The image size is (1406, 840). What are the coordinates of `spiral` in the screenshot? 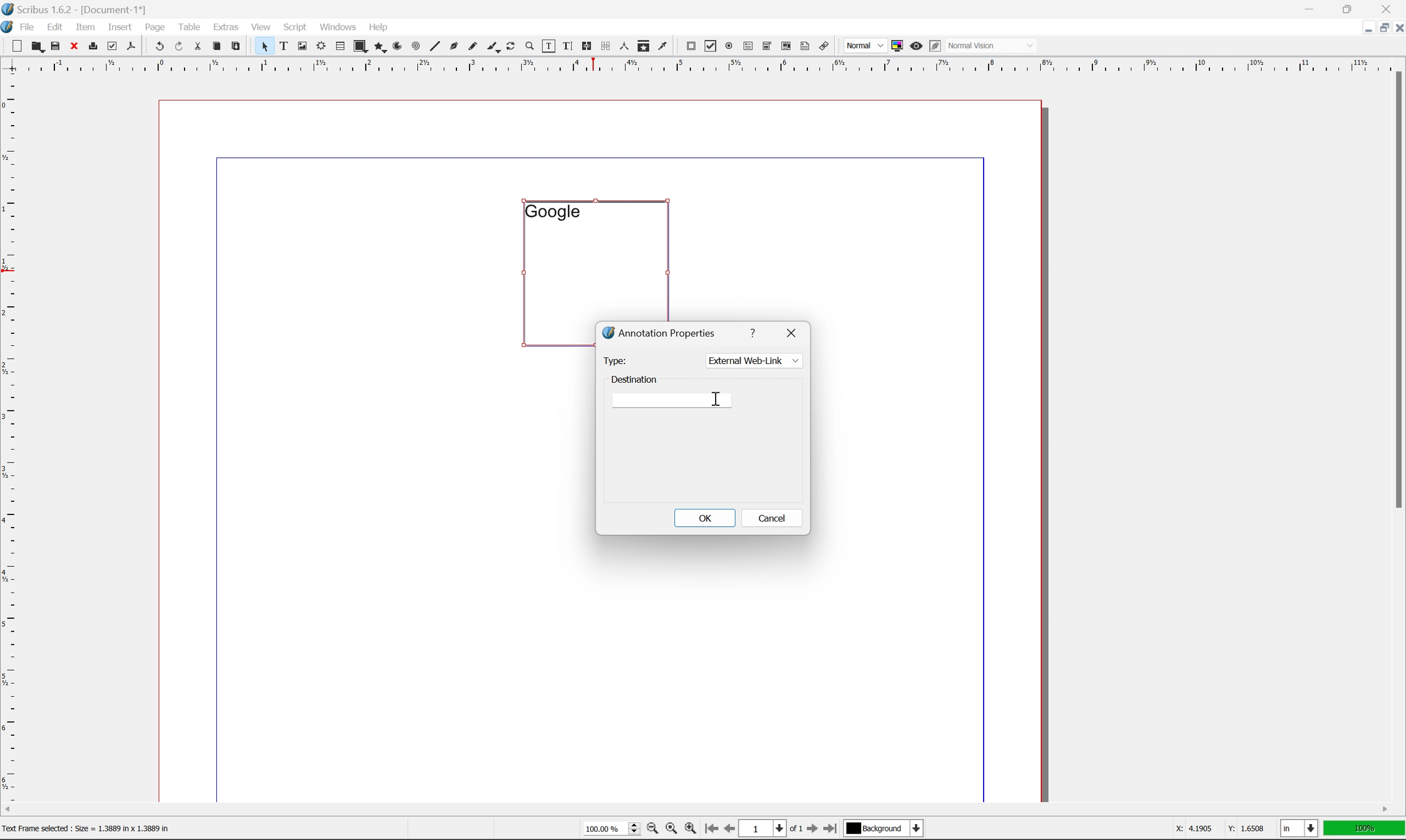 It's located at (416, 45).